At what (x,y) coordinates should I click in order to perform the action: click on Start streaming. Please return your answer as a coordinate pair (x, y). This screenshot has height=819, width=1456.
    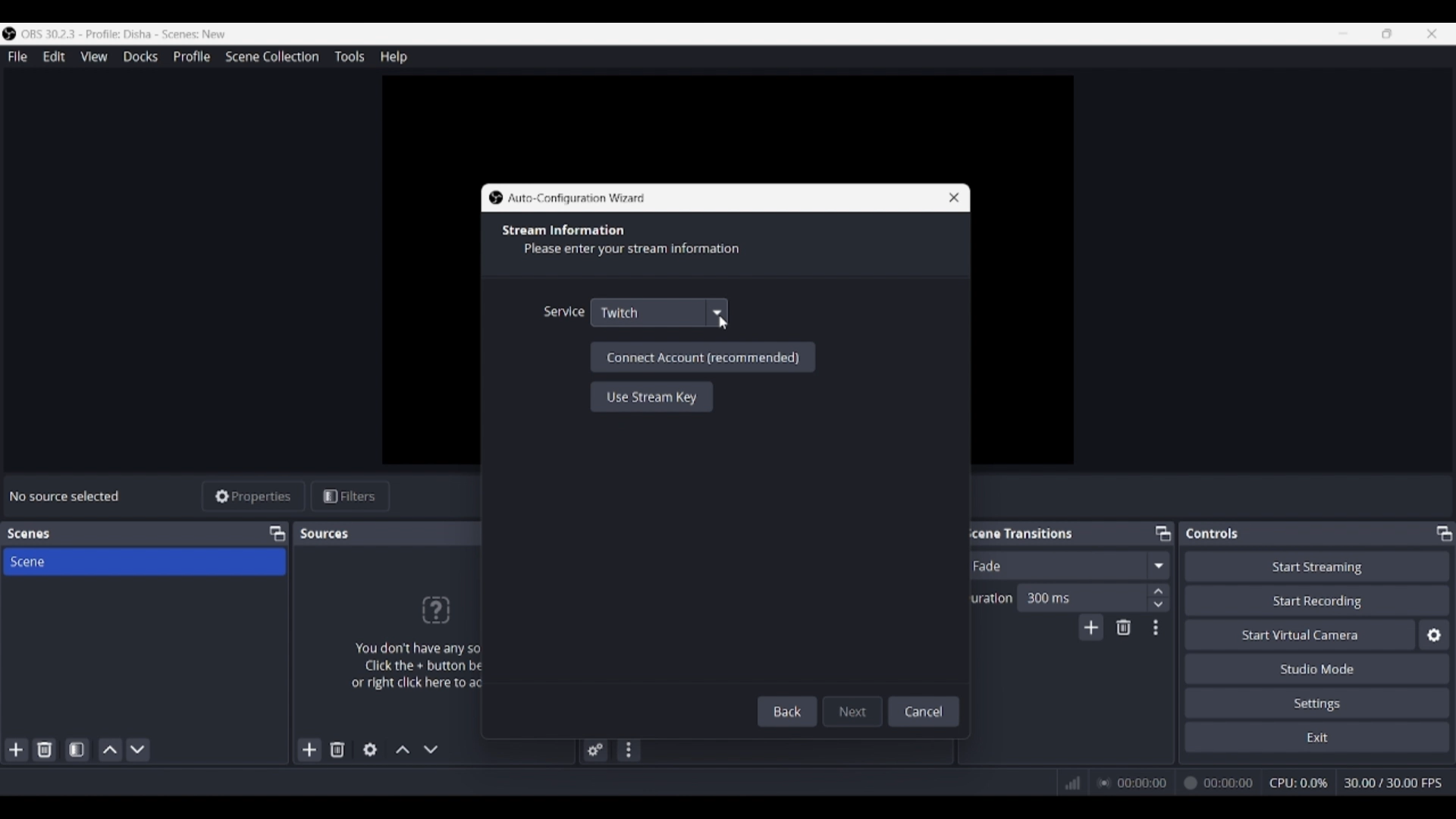
    Looking at the image, I should click on (1318, 566).